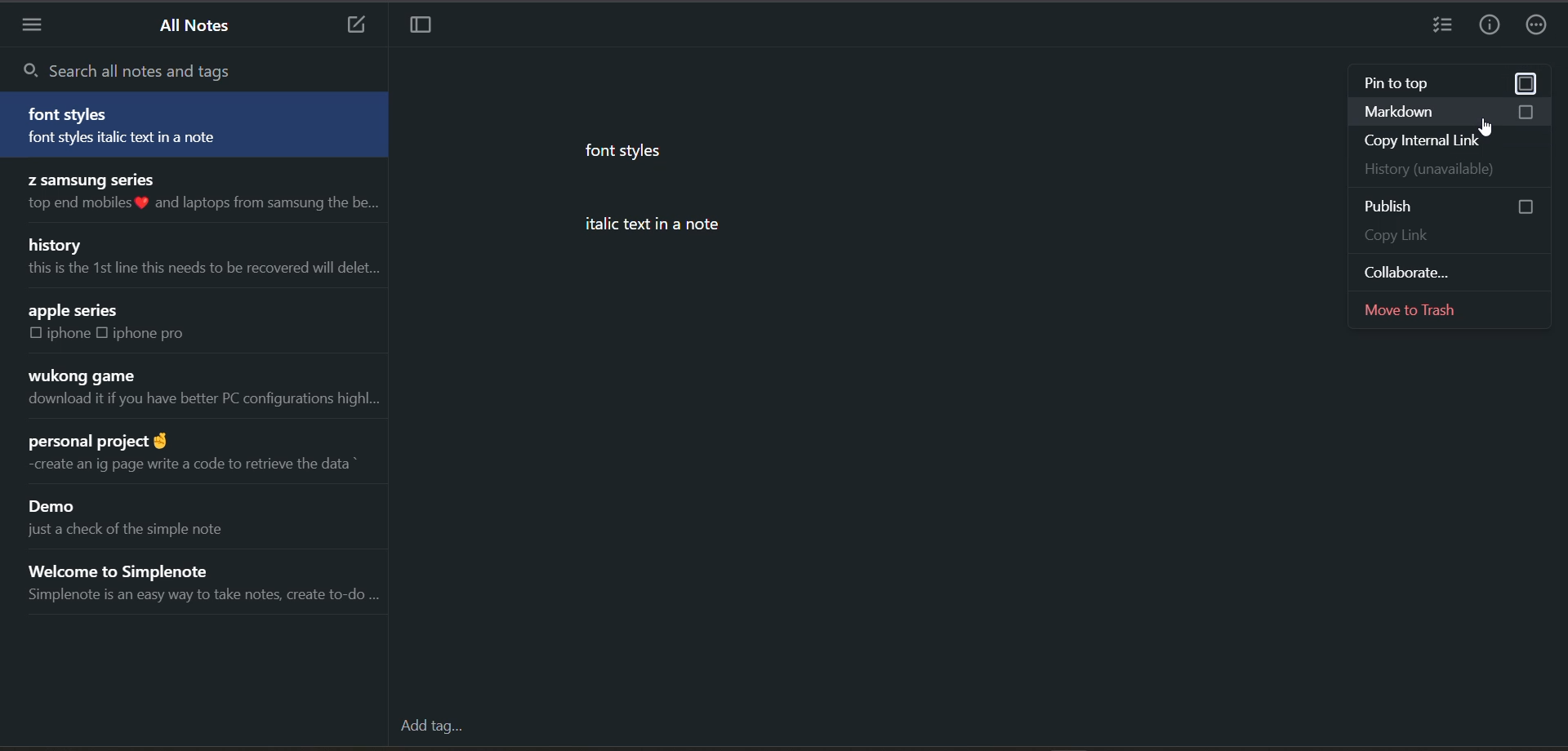 The width and height of the screenshot is (1568, 751). Describe the element at coordinates (431, 28) in the screenshot. I see `toggle focus mode` at that location.